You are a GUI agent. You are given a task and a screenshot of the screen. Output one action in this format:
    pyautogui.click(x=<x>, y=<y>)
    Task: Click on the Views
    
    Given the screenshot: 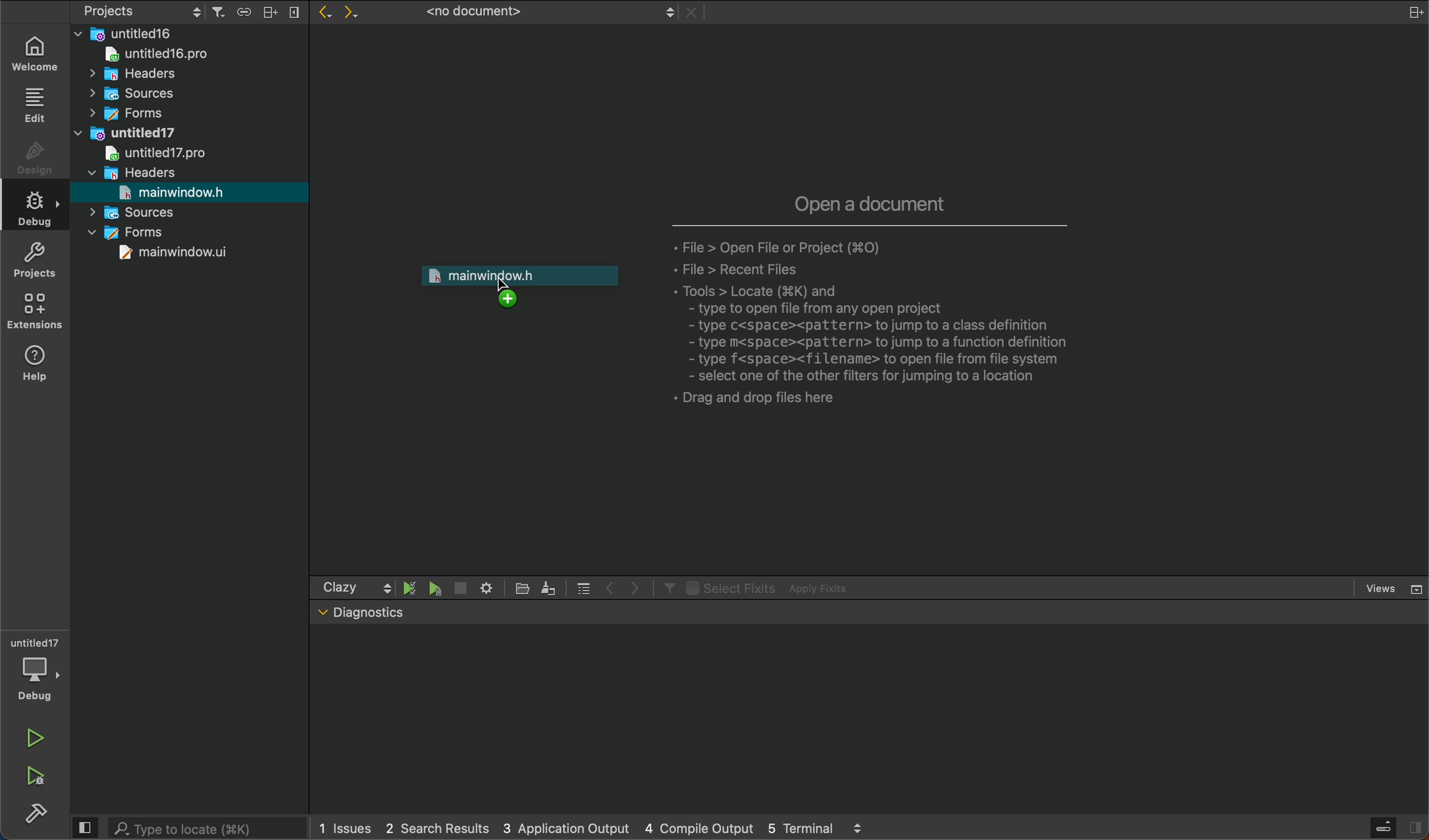 What is the action you would take?
    pyautogui.click(x=1393, y=588)
    